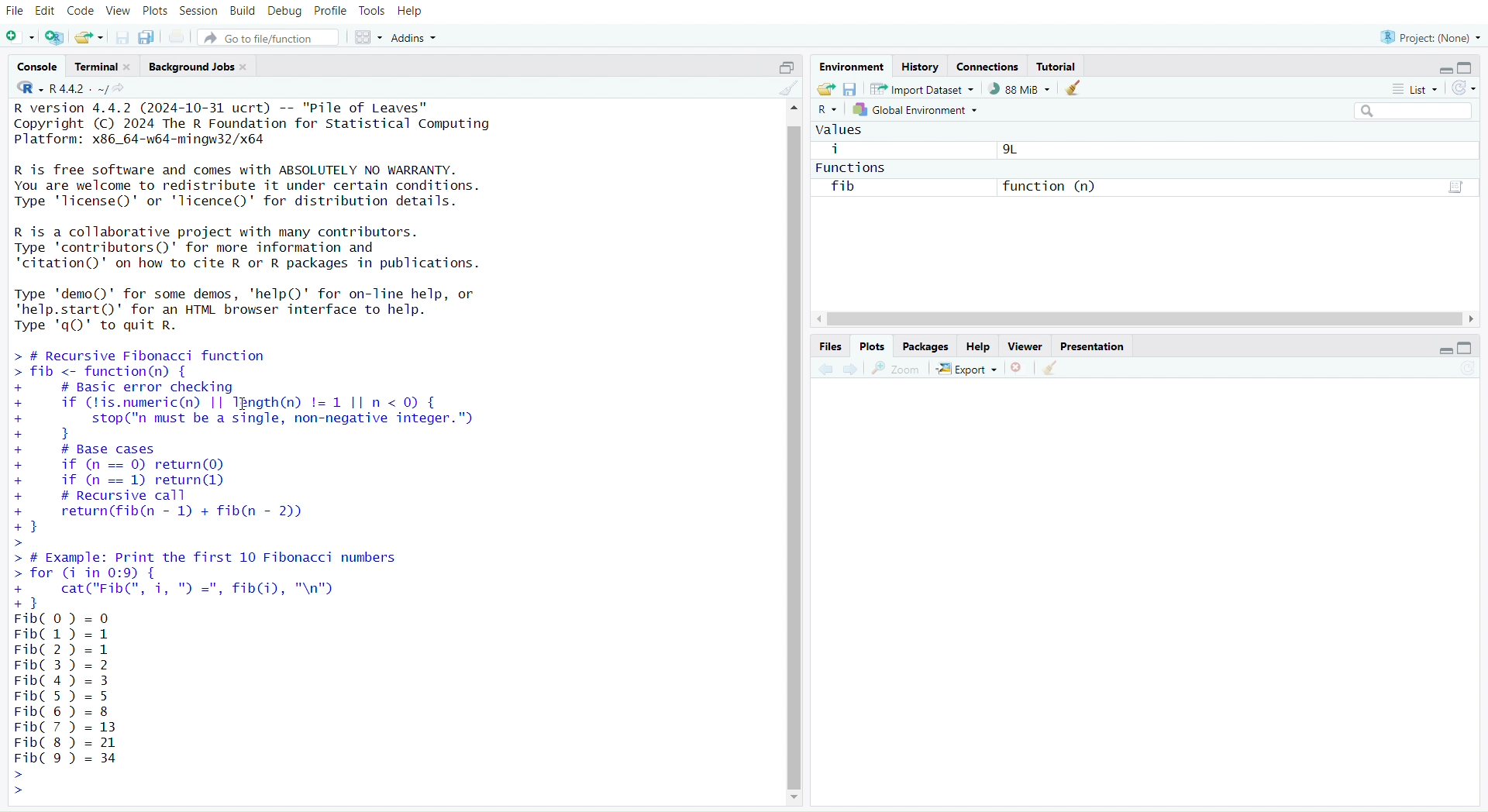 This screenshot has width=1488, height=812. I want to click on load workspace, so click(825, 88).